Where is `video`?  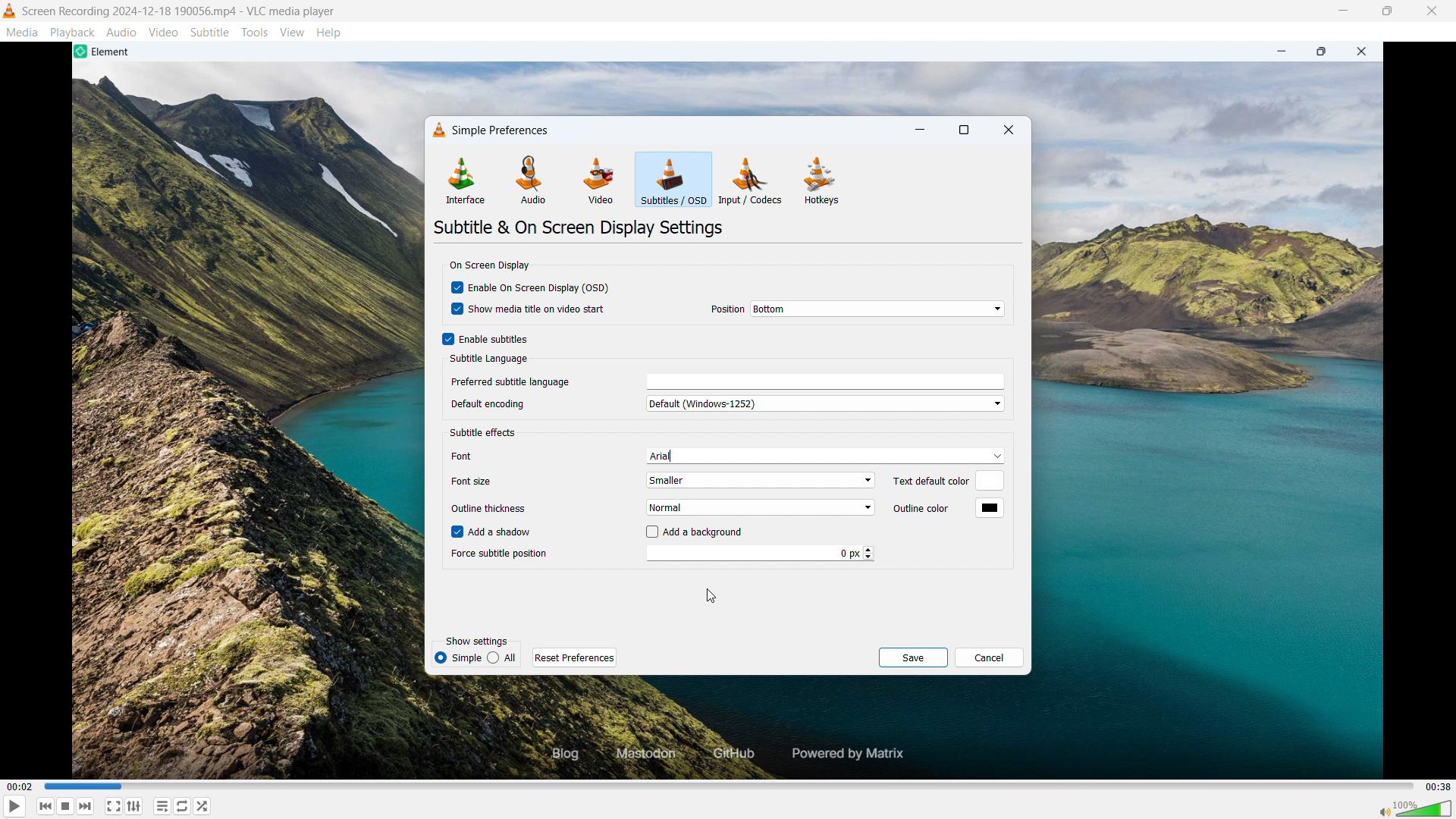 video is located at coordinates (163, 32).